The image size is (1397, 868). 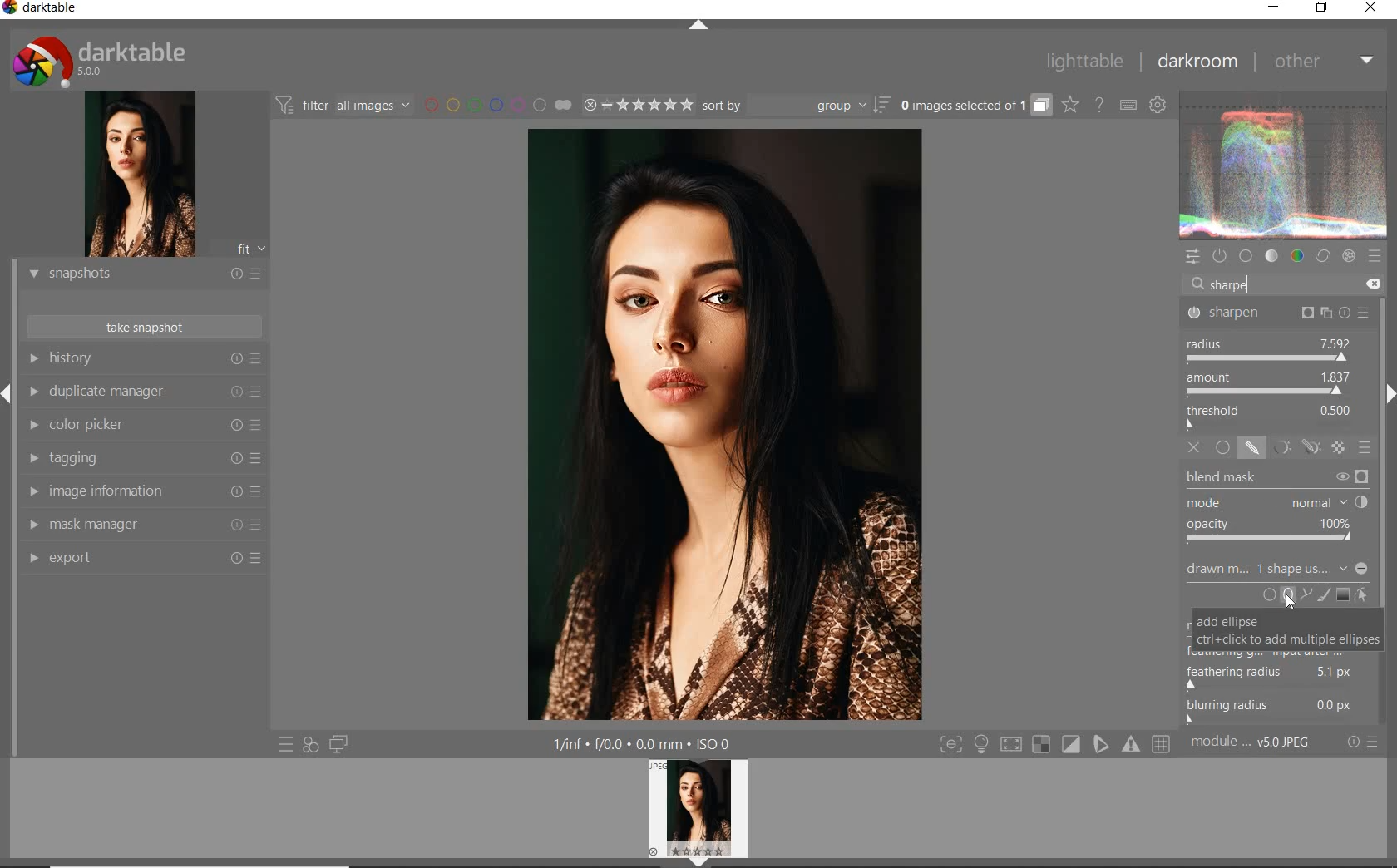 I want to click on expand grouped images, so click(x=975, y=106).